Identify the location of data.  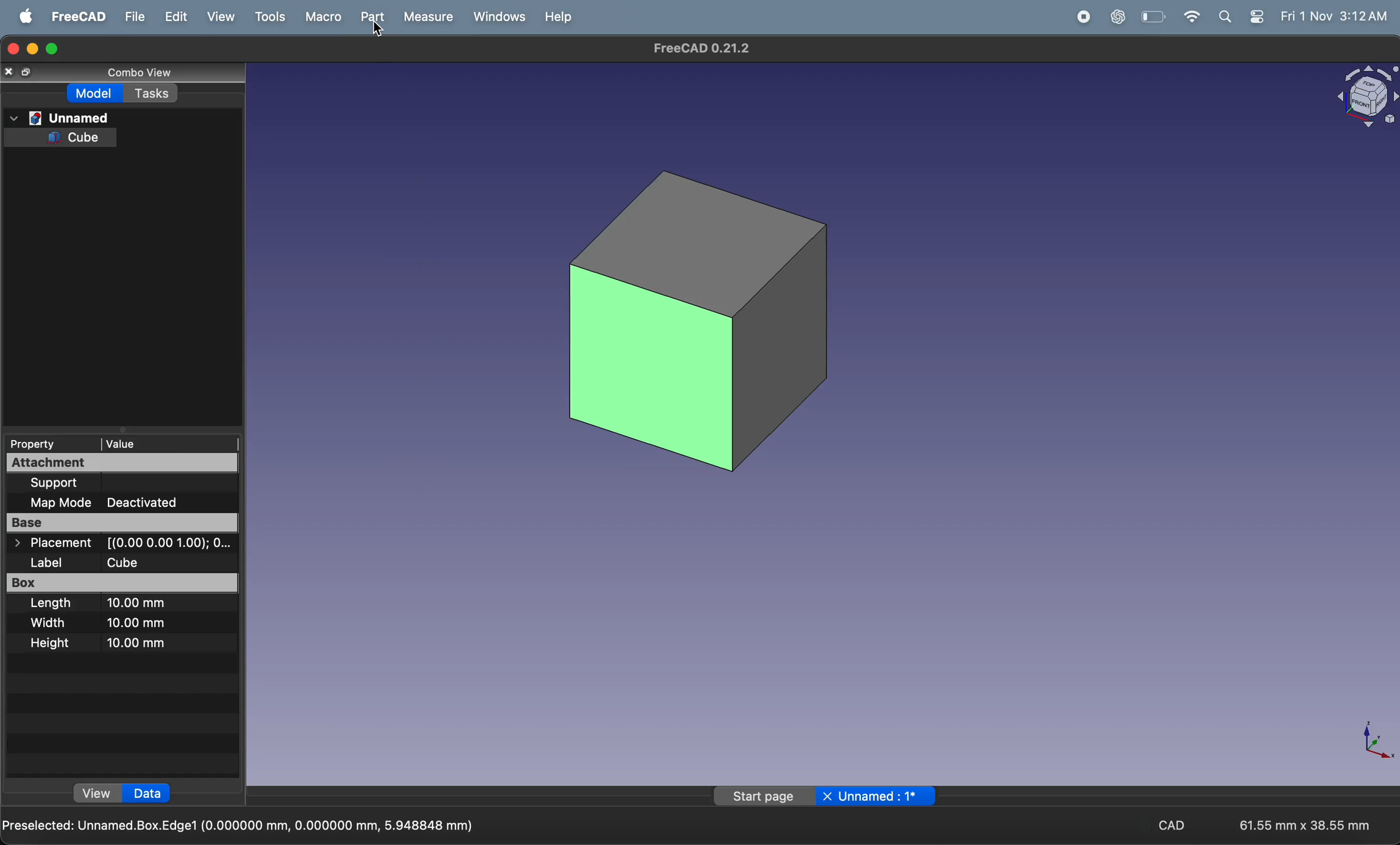
(148, 792).